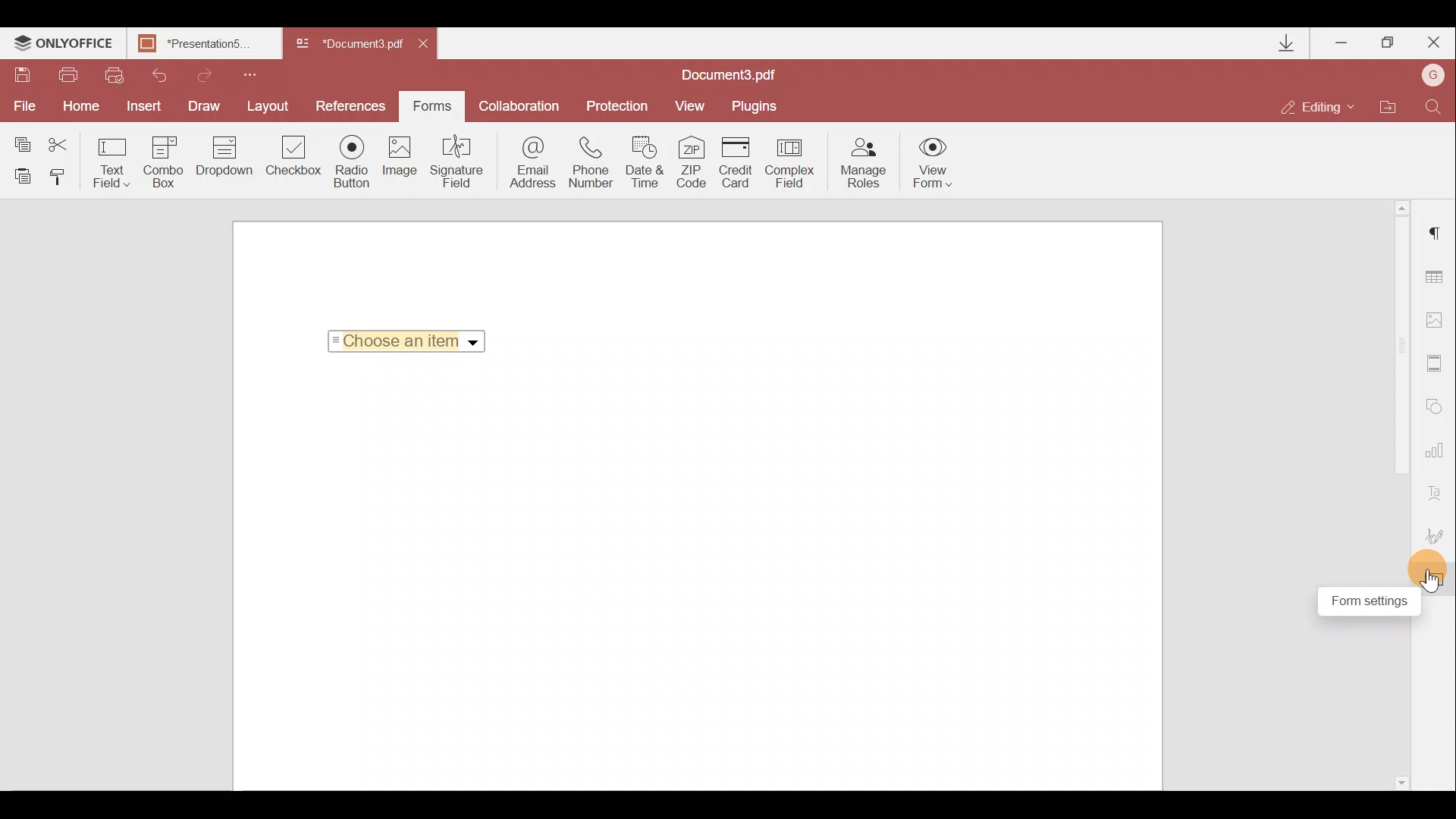 This screenshot has height=819, width=1456. What do you see at coordinates (62, 176) in the screenshot?
I see `Copy style` at bounding box center [62, 176].